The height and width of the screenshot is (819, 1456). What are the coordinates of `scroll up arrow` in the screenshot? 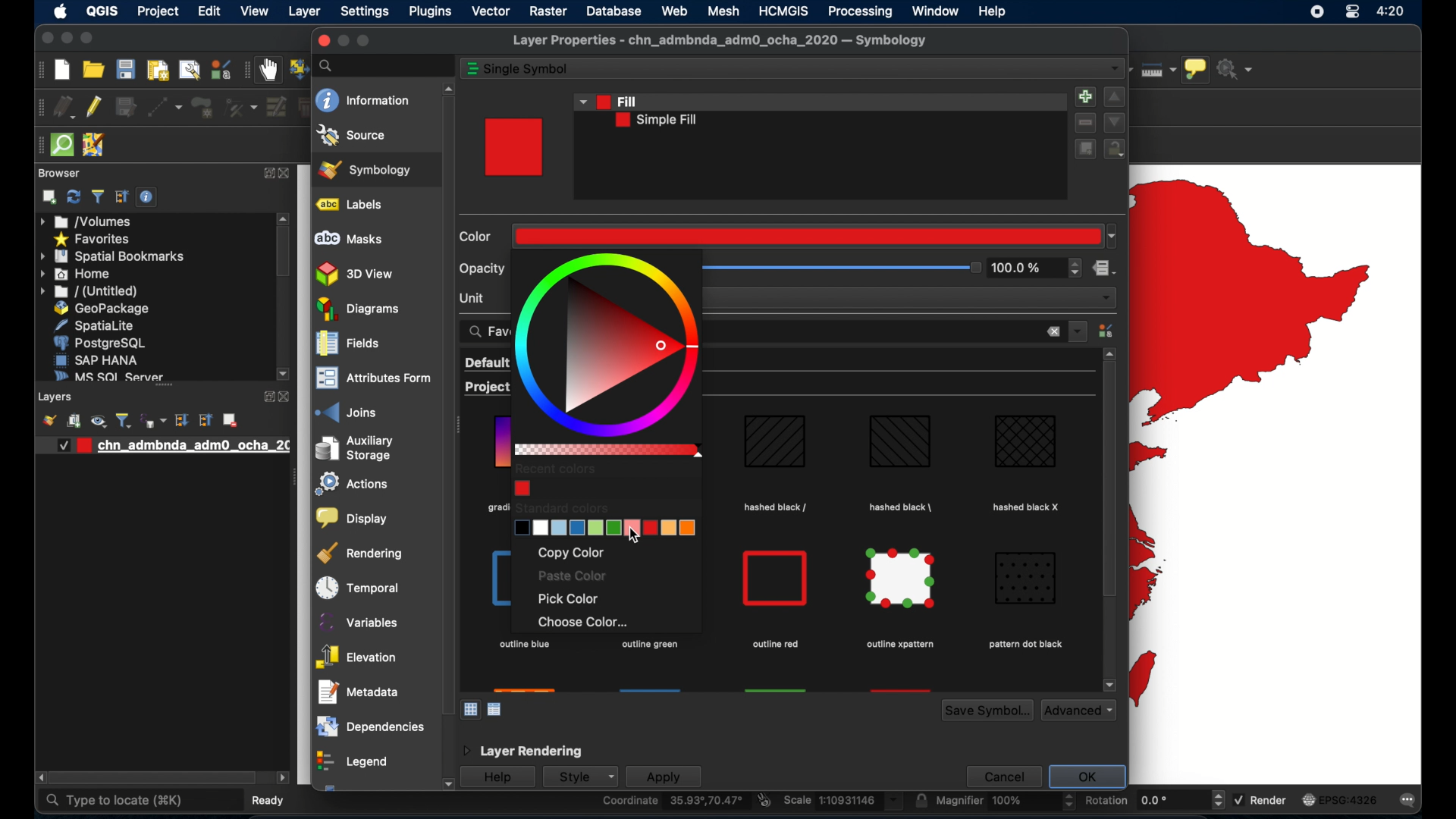 It's located at (446, 86).